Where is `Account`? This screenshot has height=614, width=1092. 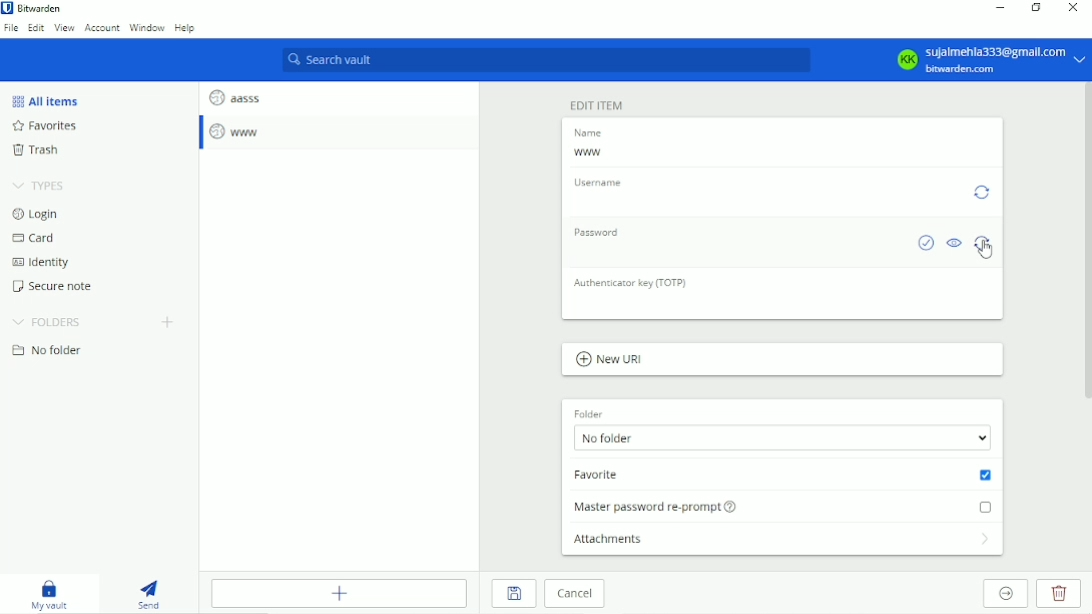 Account is located at coordinates (989, 59).